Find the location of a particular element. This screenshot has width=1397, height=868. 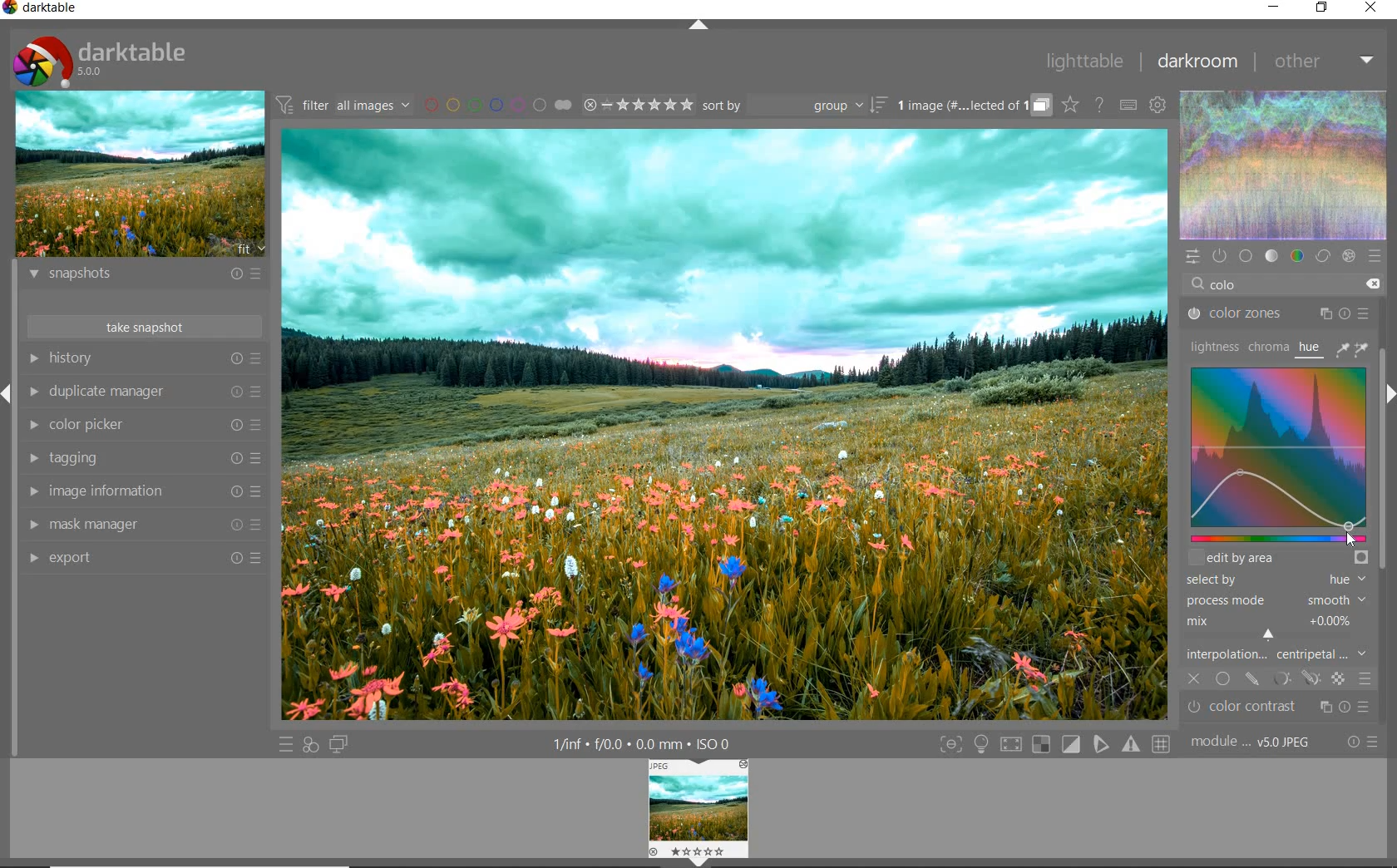

effect is located at coordinates (1348, 257).